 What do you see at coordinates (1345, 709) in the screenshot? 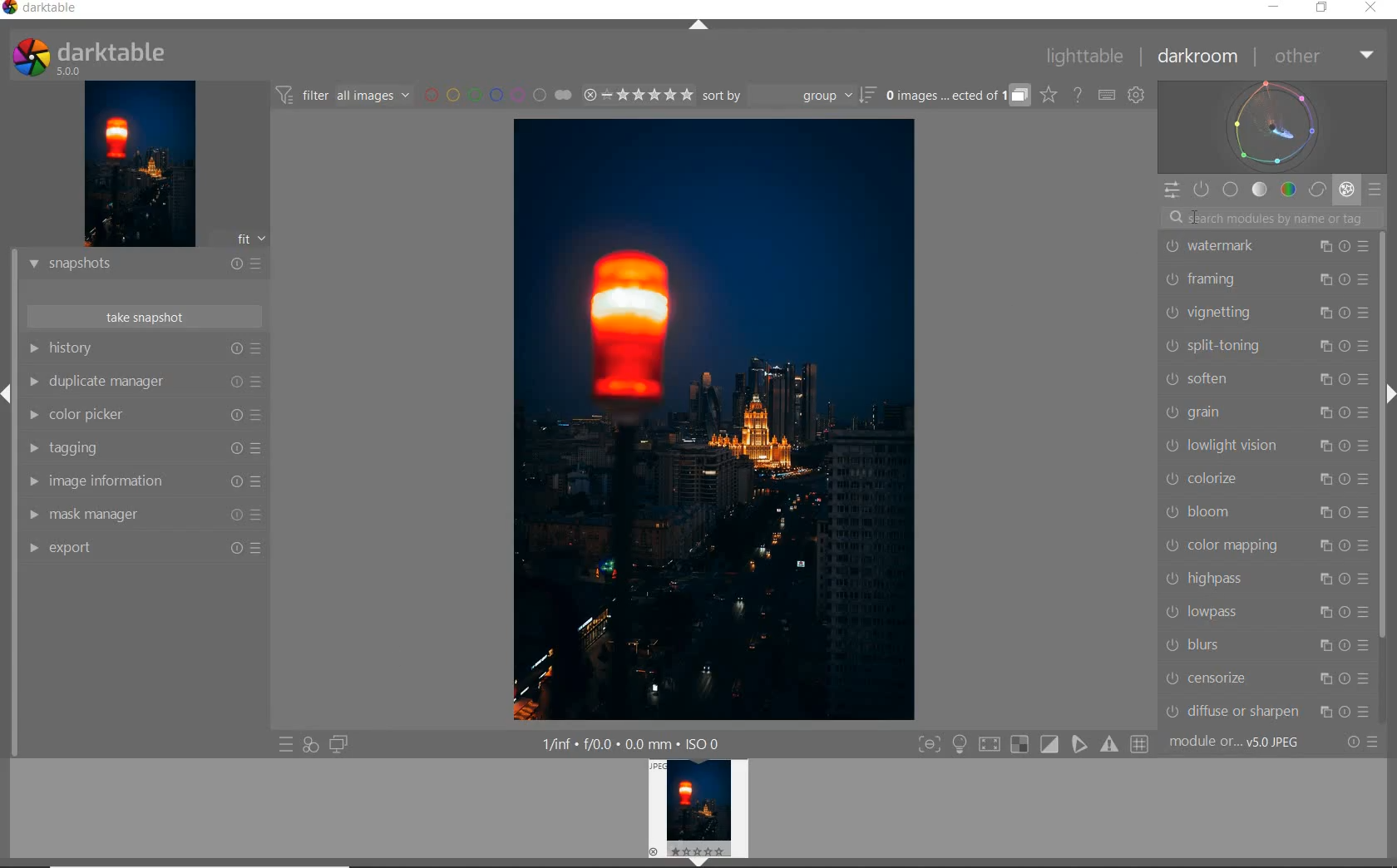
I see `Reset` at bounding box center [1345, 709].